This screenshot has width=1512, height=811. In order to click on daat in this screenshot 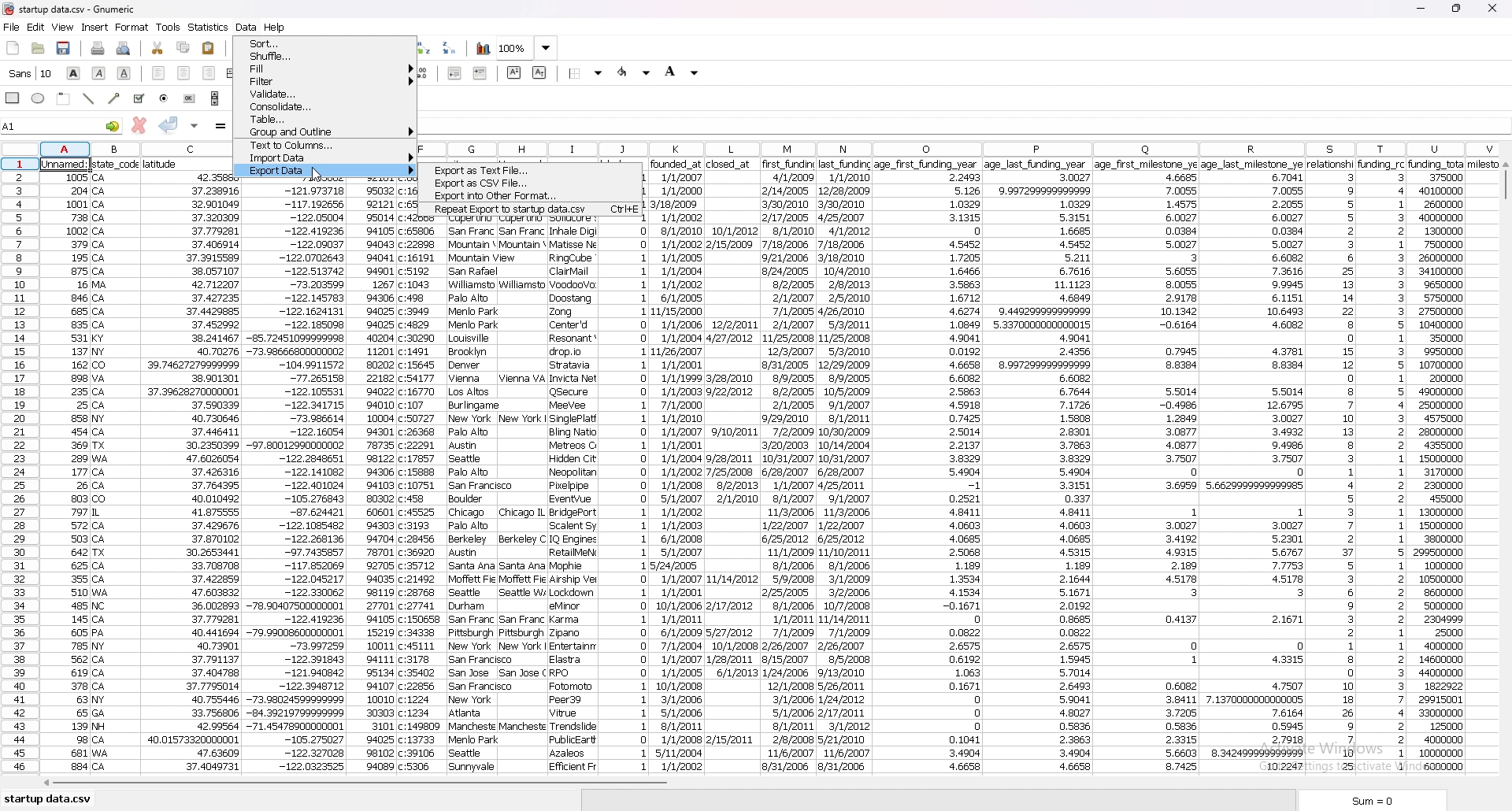, I will do `click(1254, 465)`.